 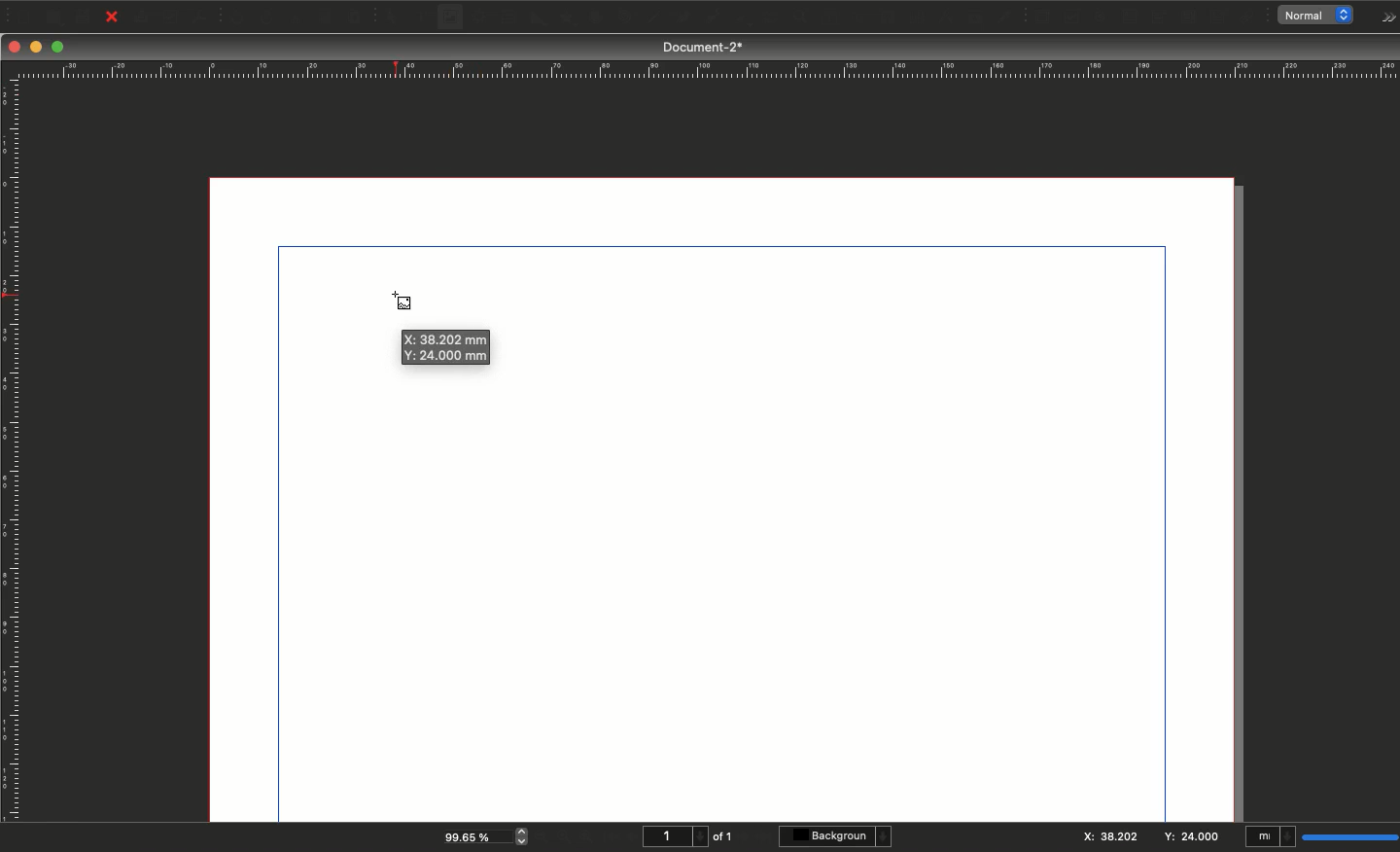 I want to click on Close, so click(x=112, y=18).